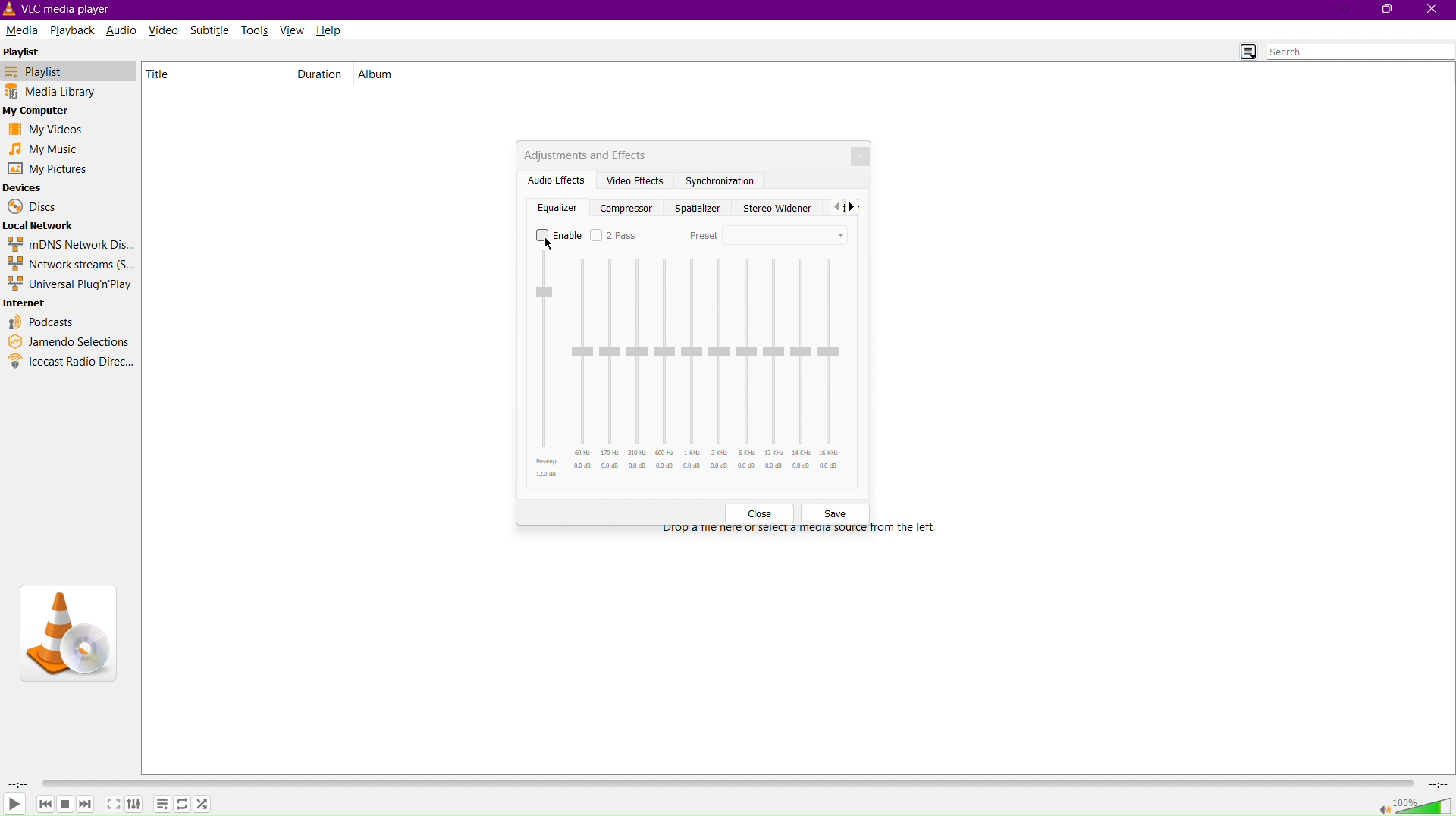 Image resolution: width=1456 pixels, height=816 pixels. I want to click on Timeline, so click(730, 782).